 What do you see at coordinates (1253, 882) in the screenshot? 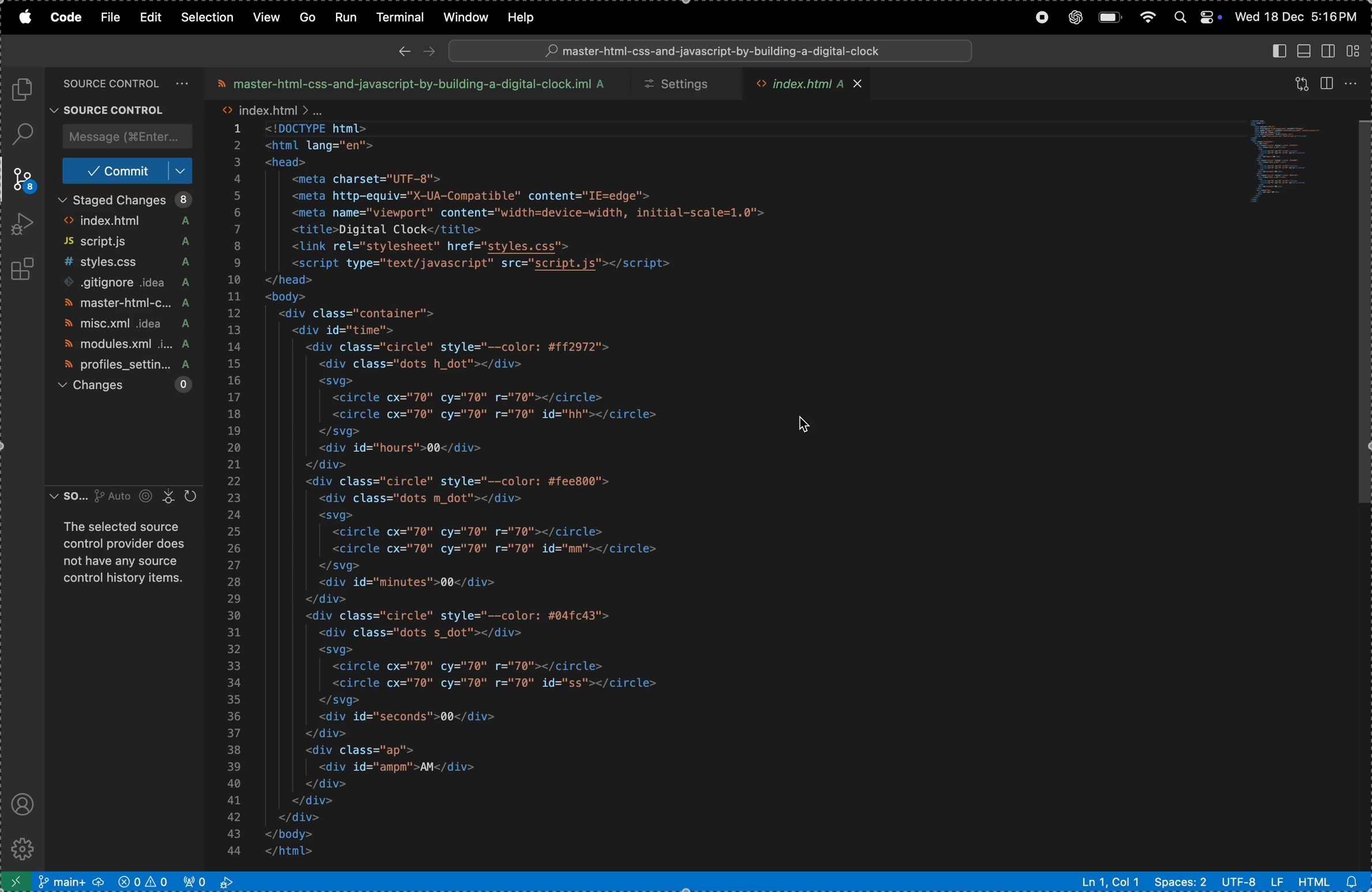
I see `utf -8 lf` at bounding box center [1253, 882].